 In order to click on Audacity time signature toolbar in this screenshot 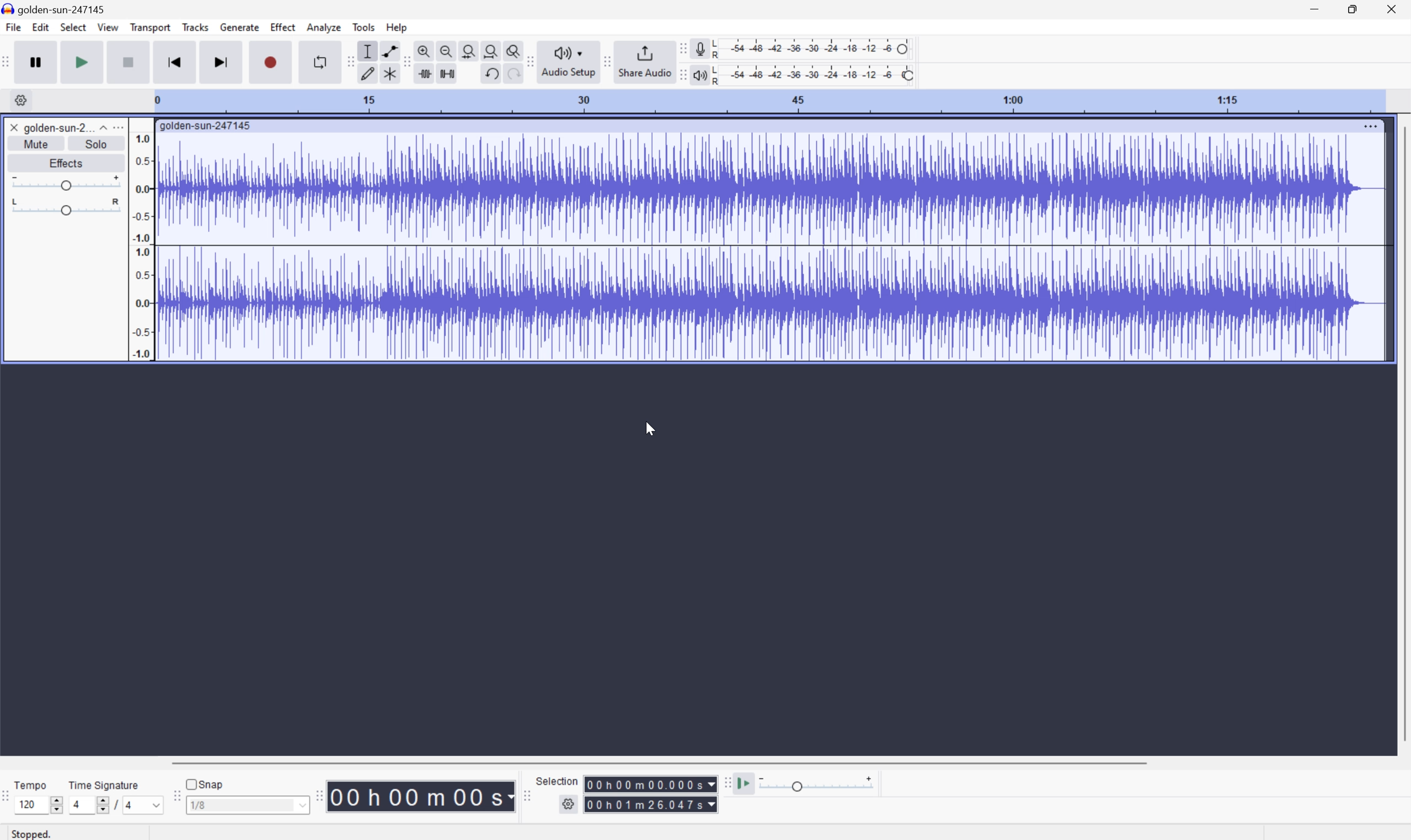, I will do `click(9, 802)`.